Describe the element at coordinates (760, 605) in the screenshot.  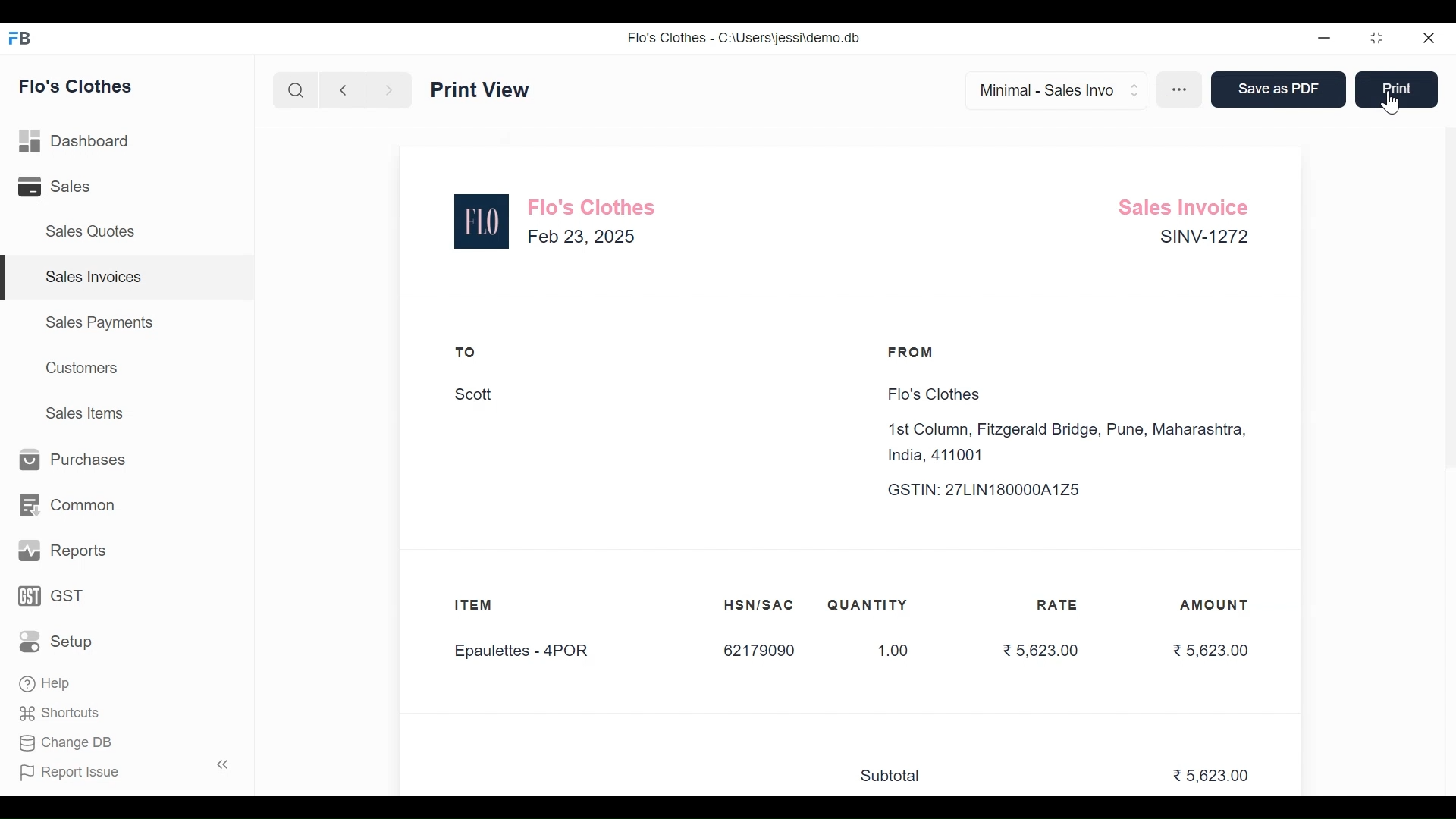
I see `HSN/SAC` at that location.